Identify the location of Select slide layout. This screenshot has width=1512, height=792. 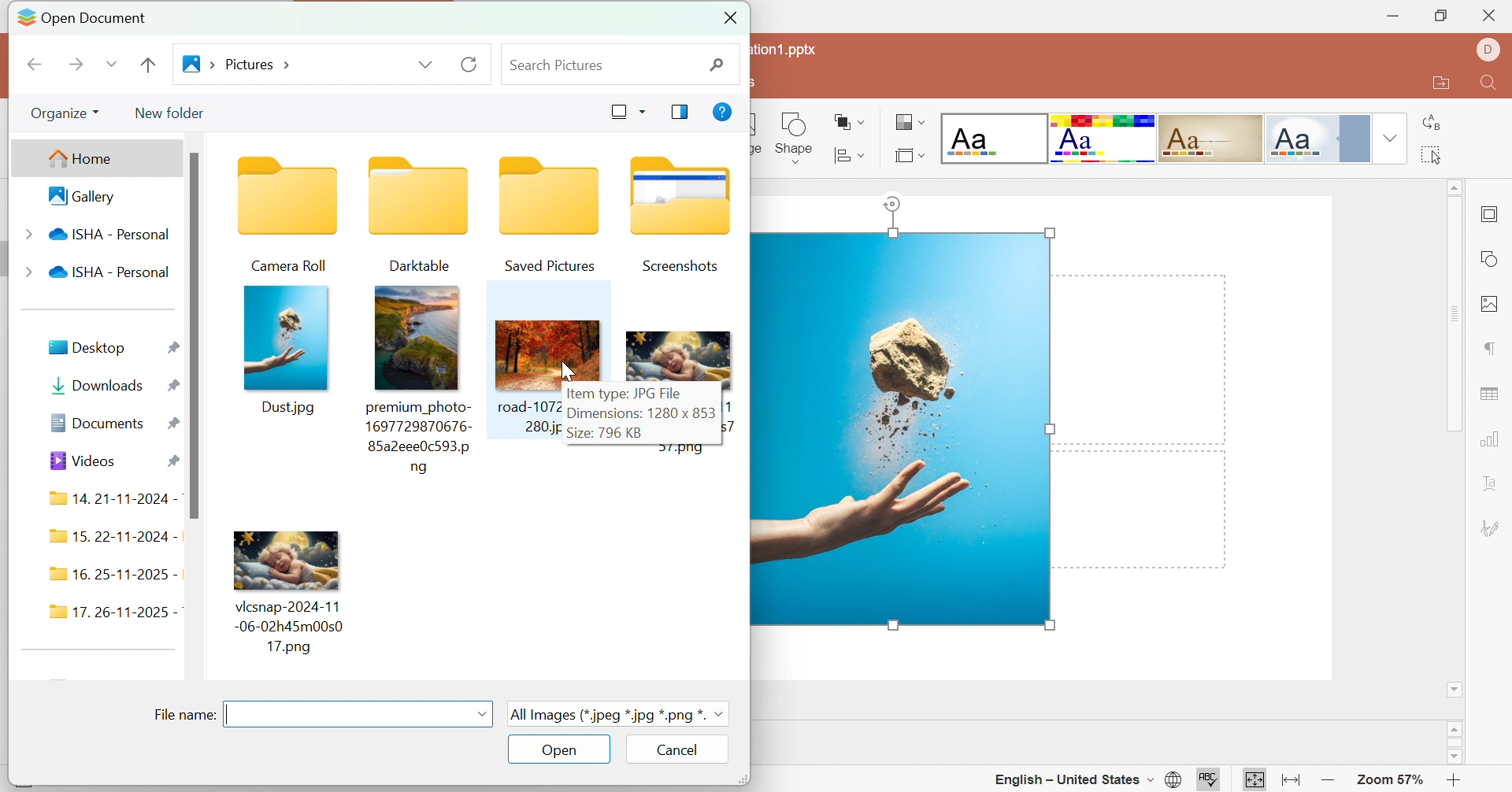
(910, 154).